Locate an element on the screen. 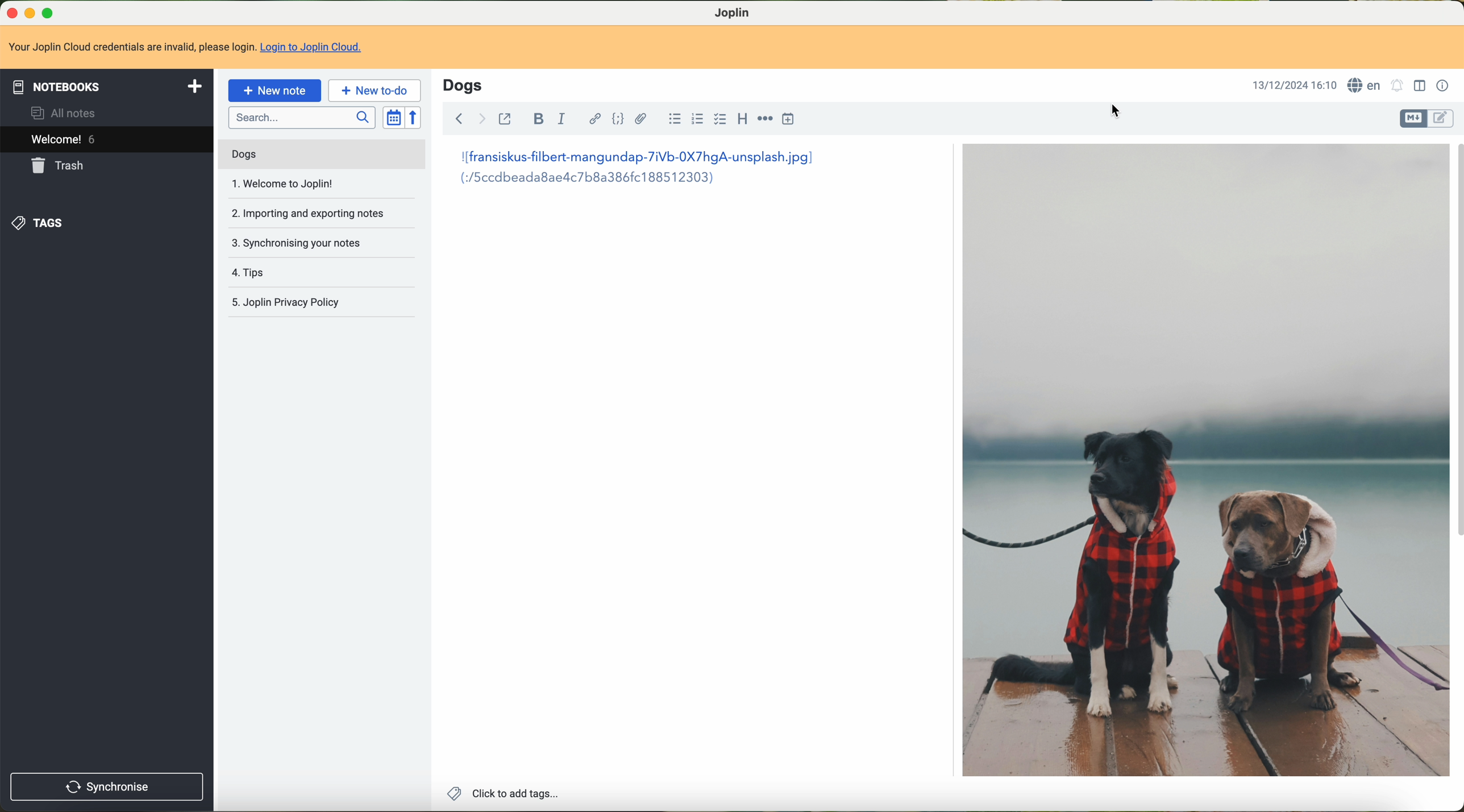 The image size is (1464, 812). code is located at coordinates (619, 120).